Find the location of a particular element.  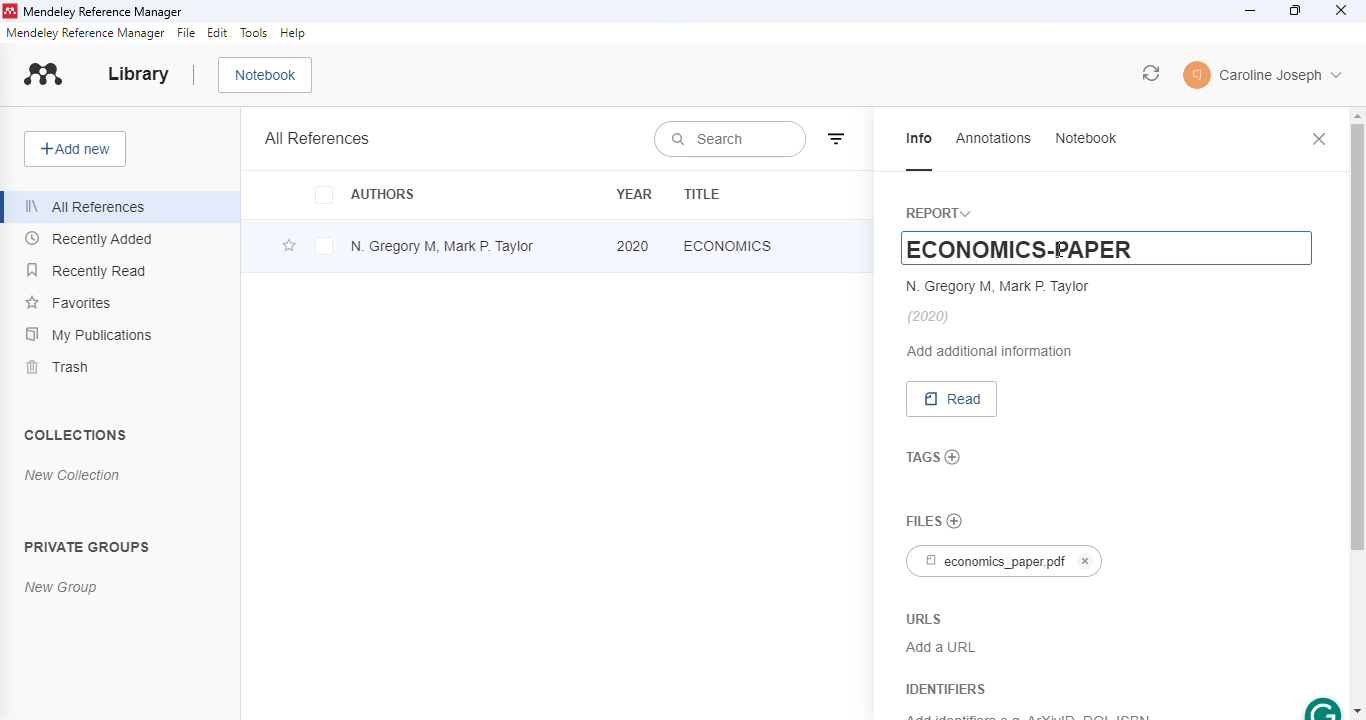

notebook is located at coordinates (1088, 138).